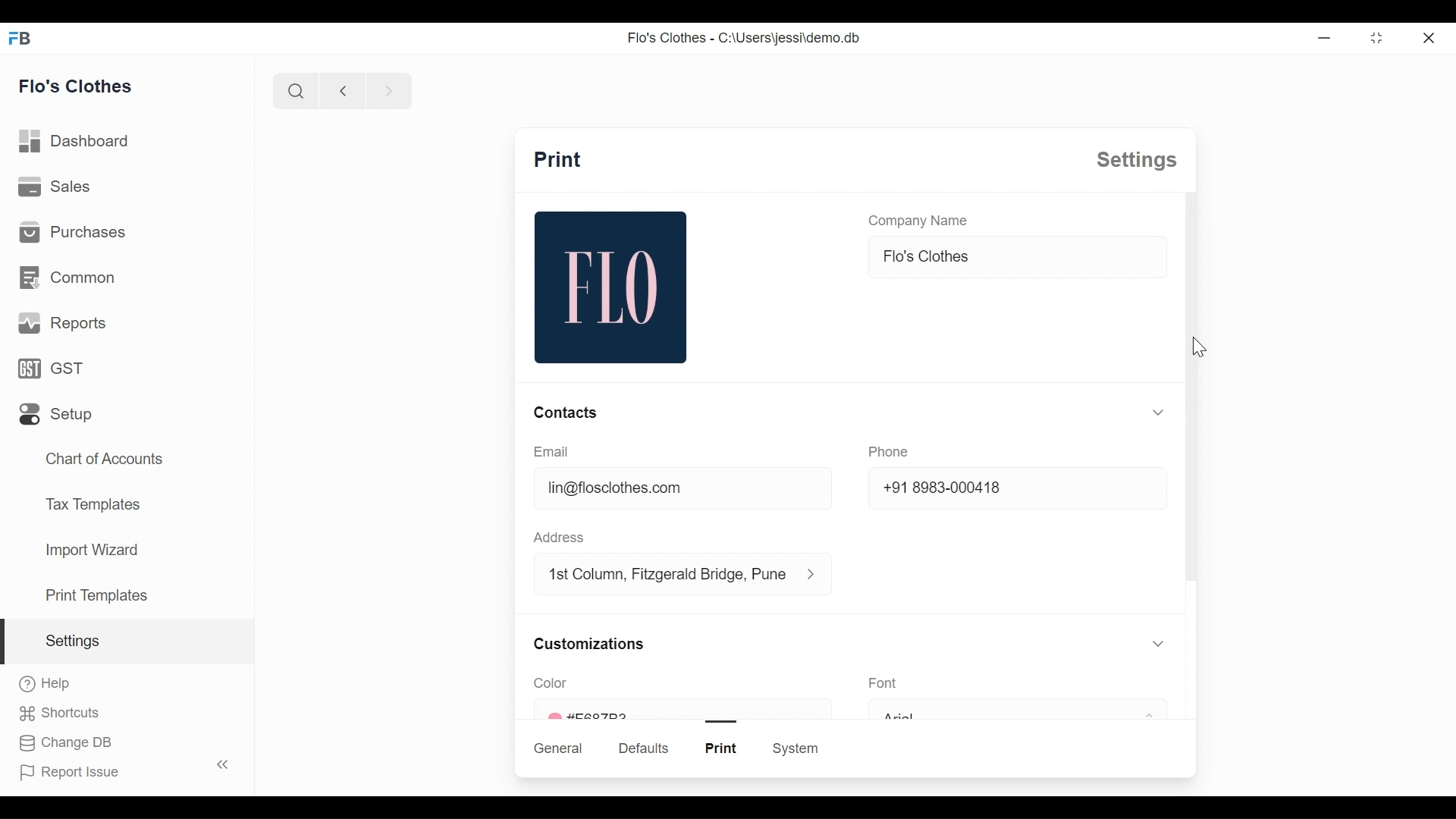  What do you see at coordinates (795, 748) in the screenshot?
I see `system` at bounding box center [795, 748].